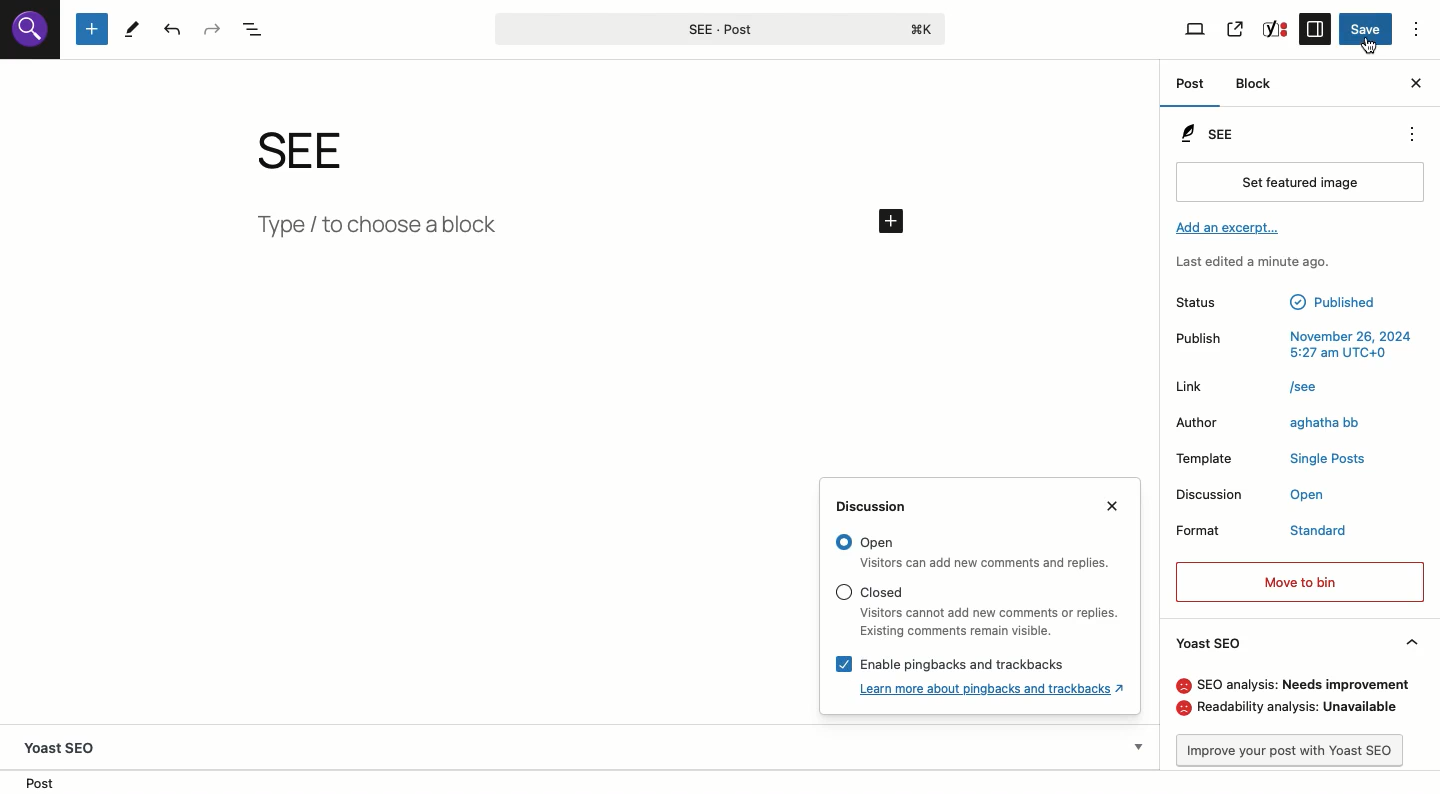 The height and width of the screenshot is (794, 1440). Describe the element at coordinates (1271, 460) in the screenshot. I see `Template Single Posts` at that location.